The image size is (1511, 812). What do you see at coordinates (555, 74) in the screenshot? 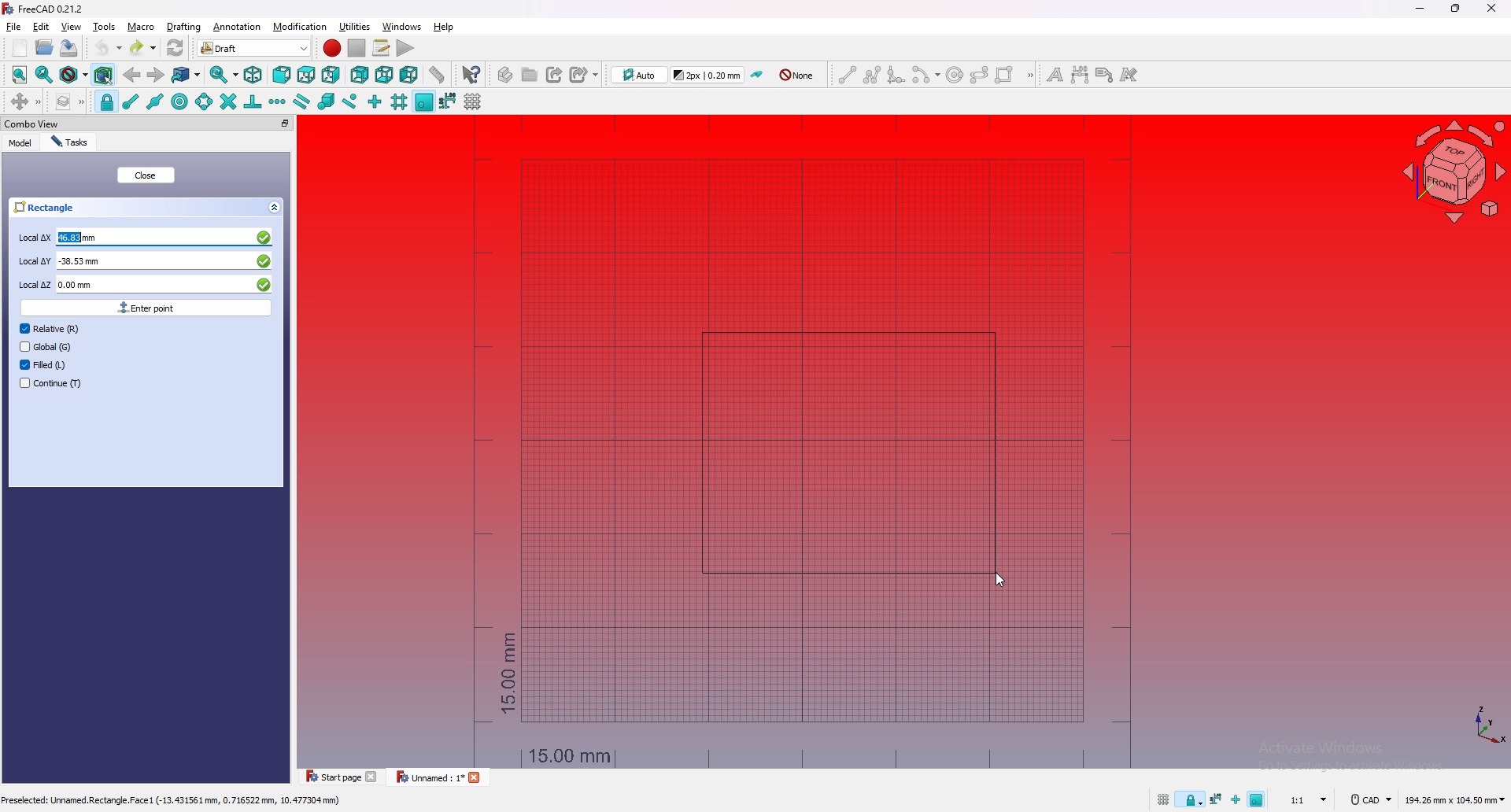
I see `create link` at bounding box center [555, 74].